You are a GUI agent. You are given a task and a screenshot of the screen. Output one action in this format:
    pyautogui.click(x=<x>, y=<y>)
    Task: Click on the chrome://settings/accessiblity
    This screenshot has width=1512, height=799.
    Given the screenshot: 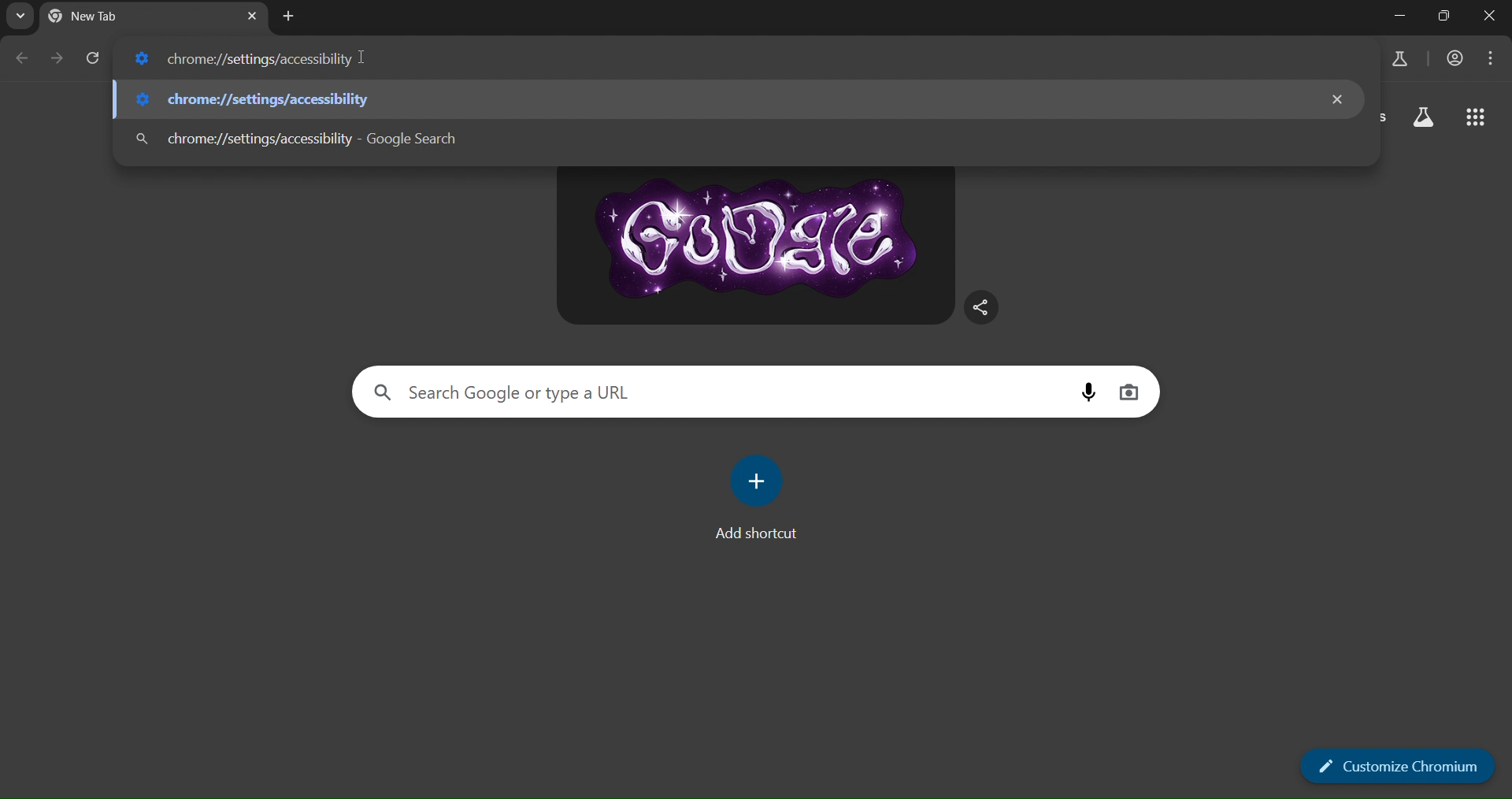 What is the action you would take?
    pyautogui.click(x=258, y=98)
    